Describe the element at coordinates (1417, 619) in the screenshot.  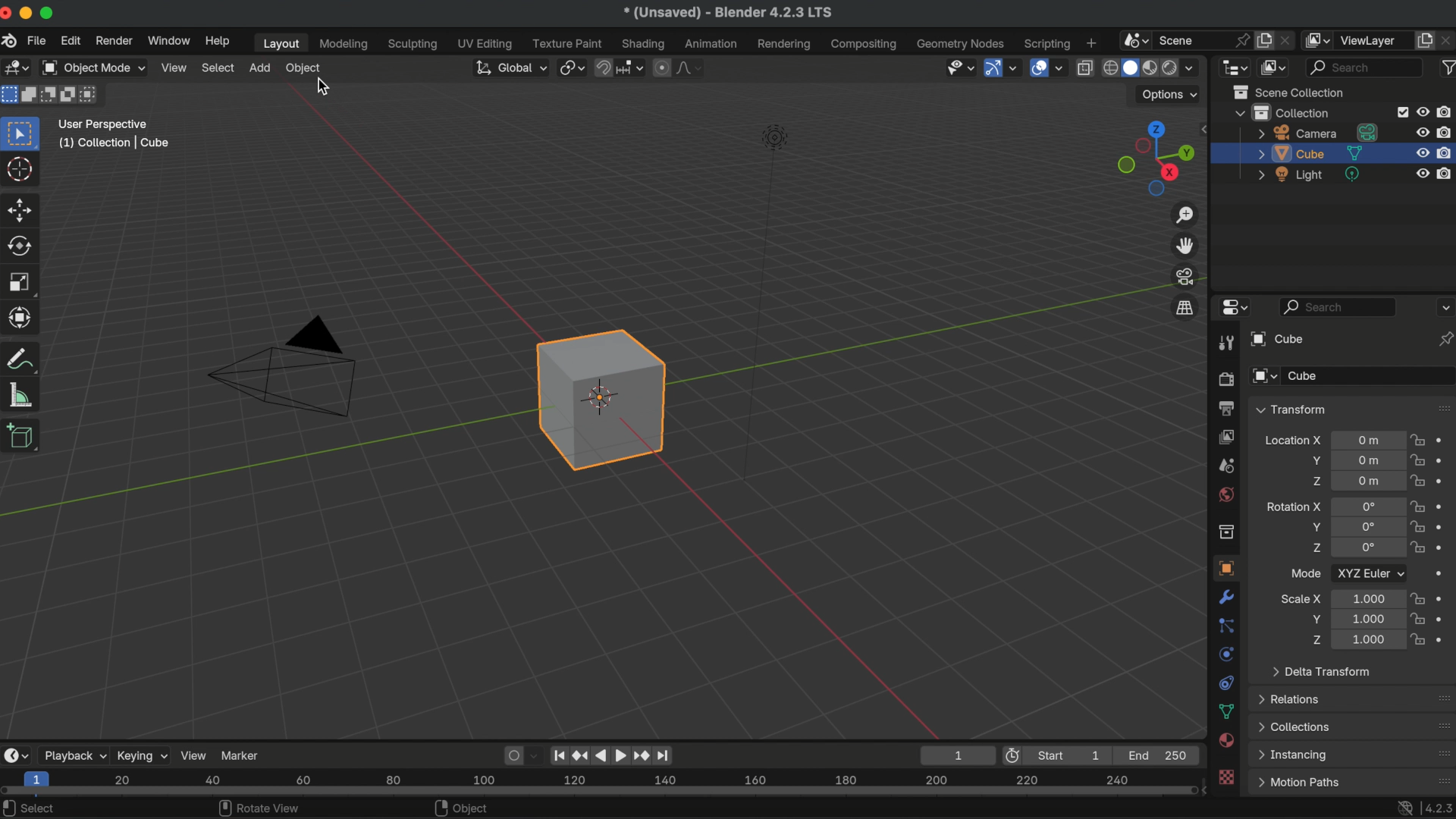
I see `lock scale` at that location.